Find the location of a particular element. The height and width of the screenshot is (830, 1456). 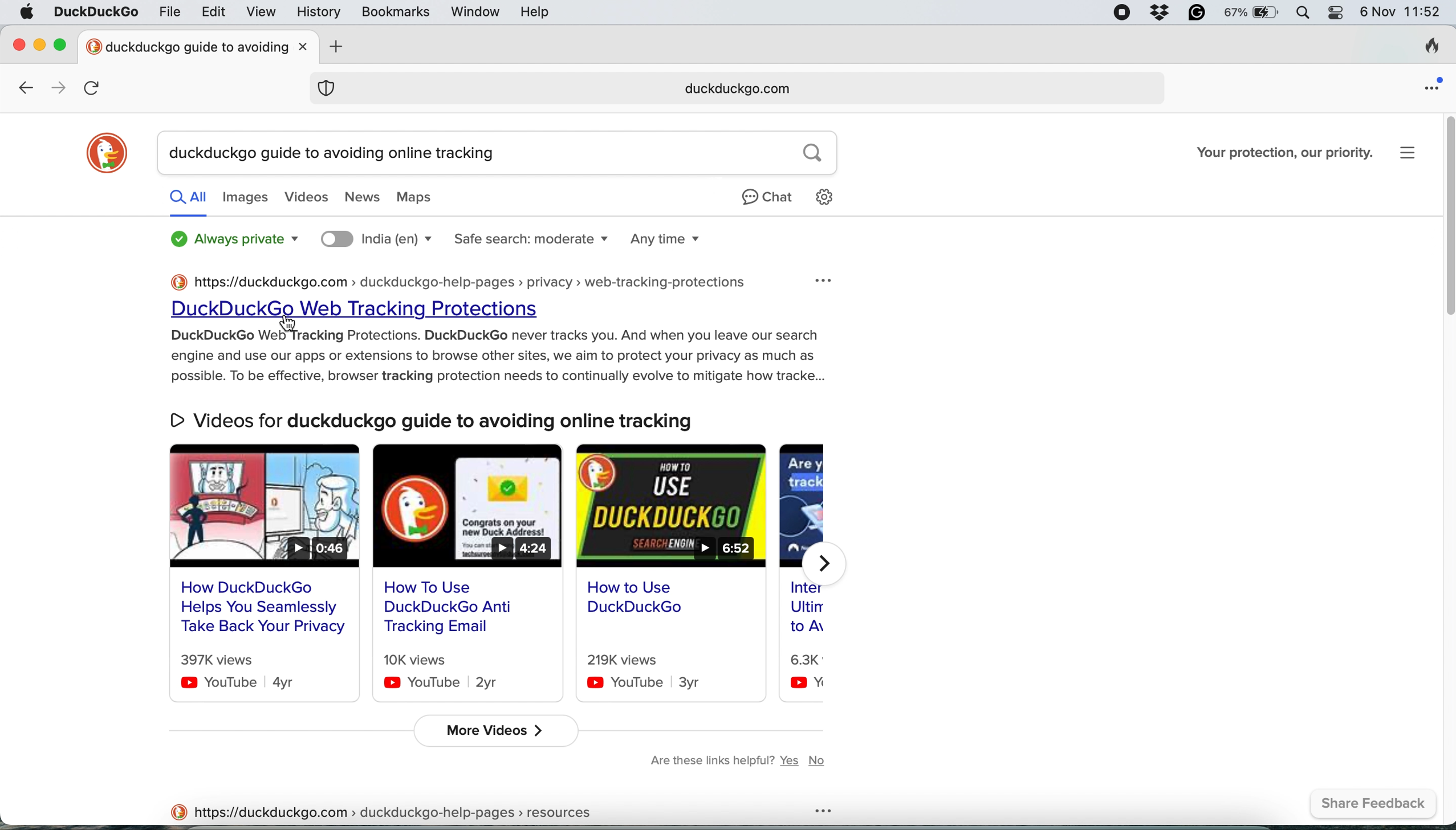

search result is located at coordinates (497, 151).